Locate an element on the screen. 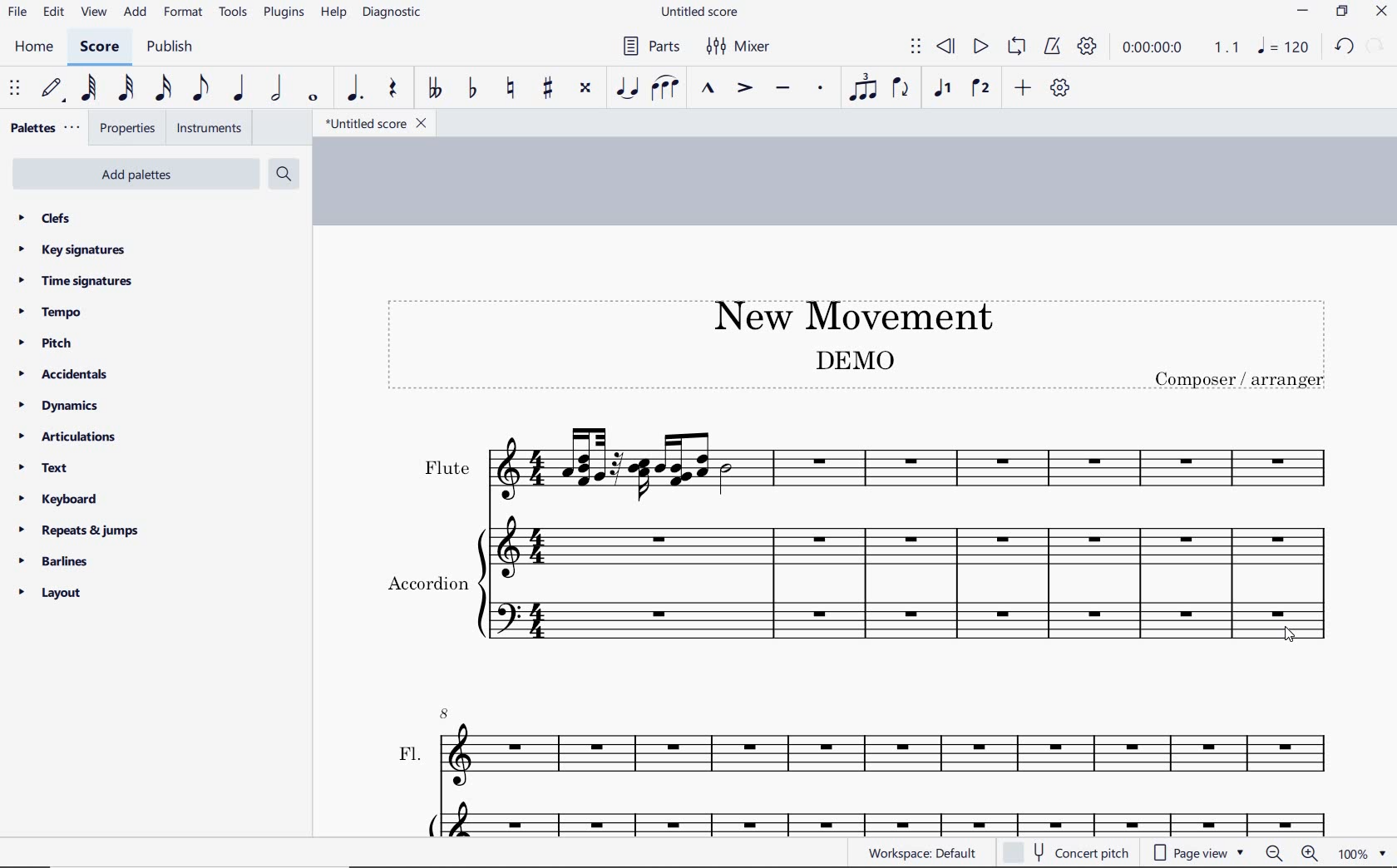  customize toolbar is located at coordinates (1061, 89).